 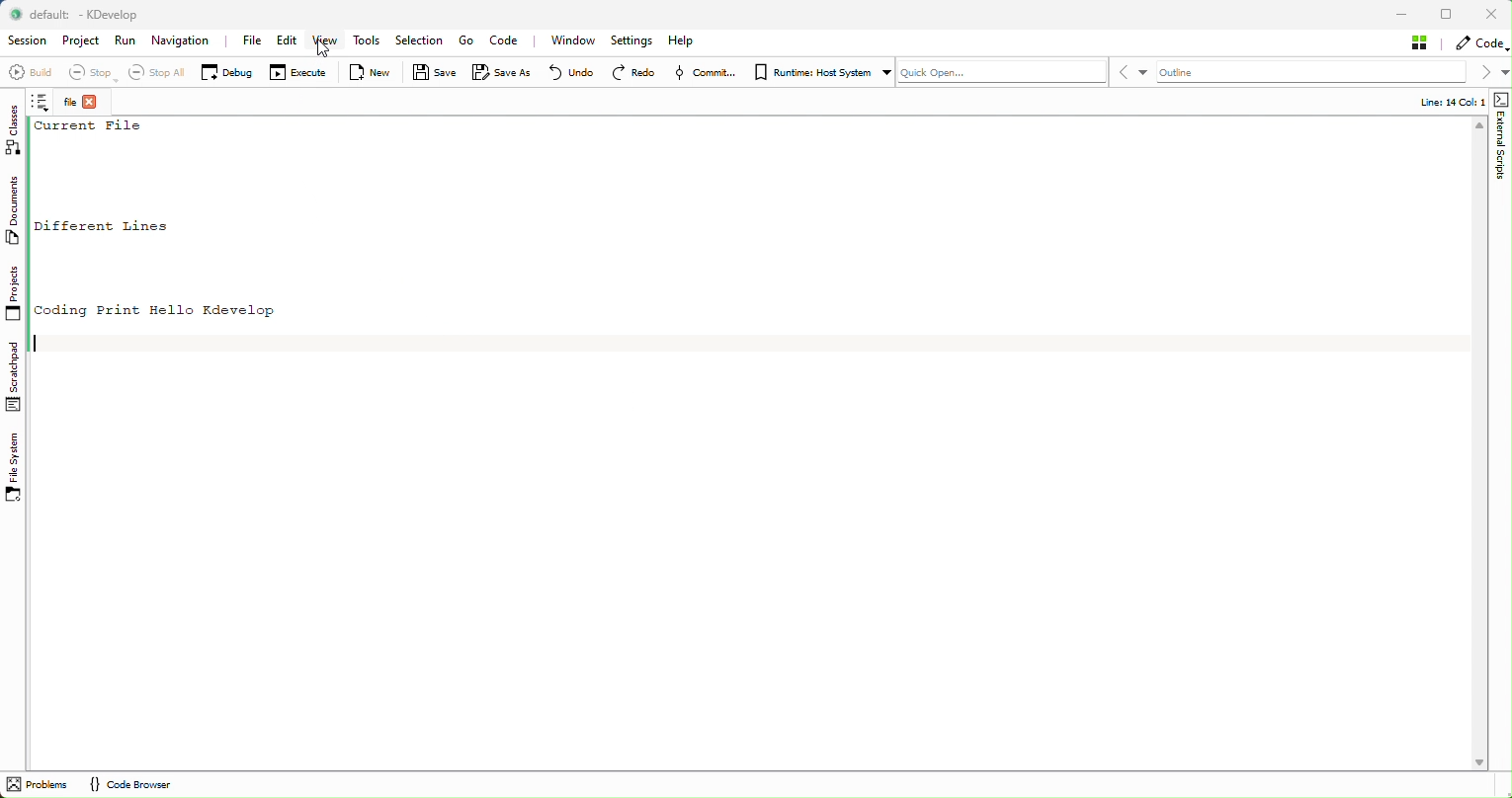 I want to click on Stachpad, so click(x=15, y=376).